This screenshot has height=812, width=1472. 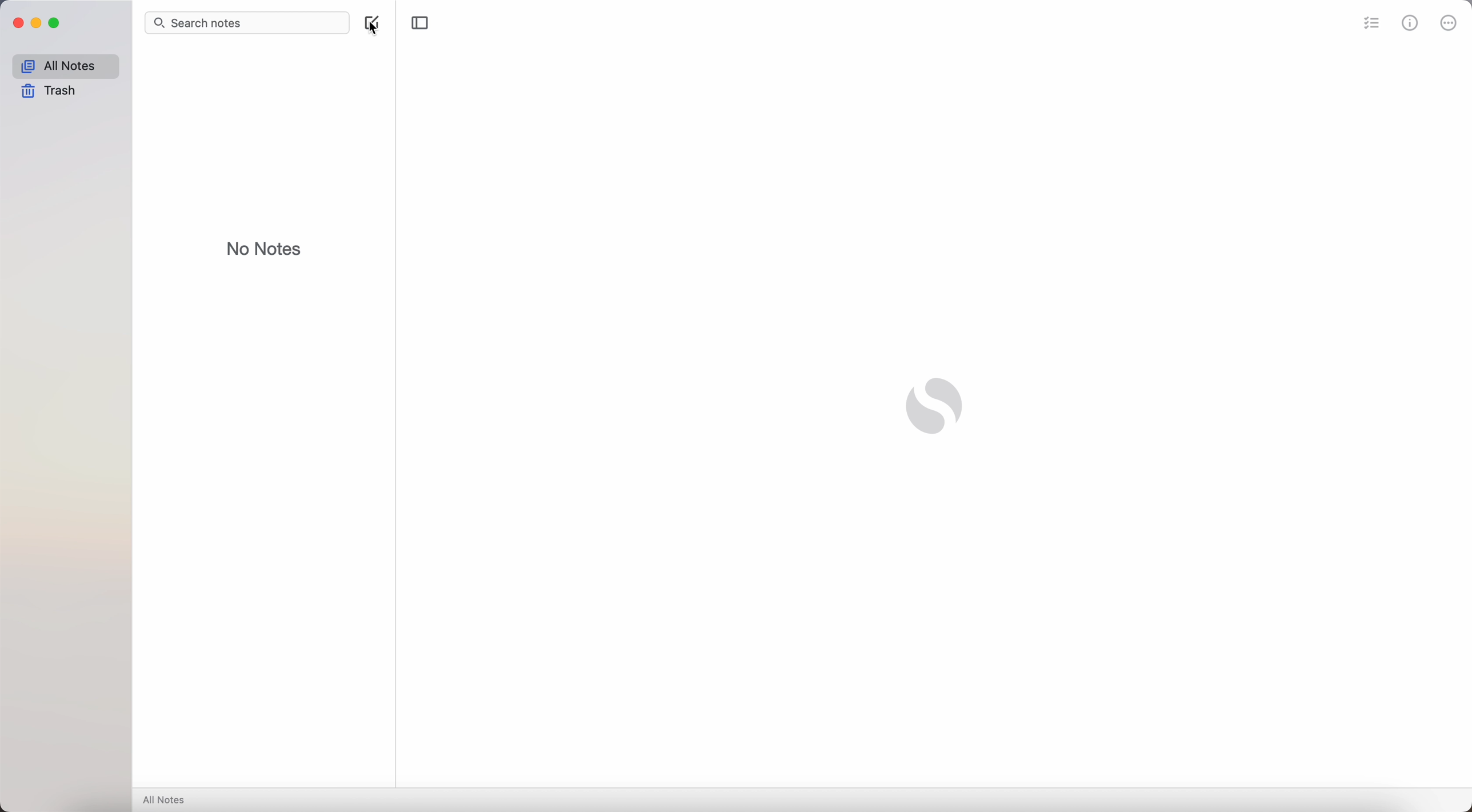 What do you see at coordinates (1370, 24) in the screenshot?
I see `check list` at bounding box center [1370, 24].